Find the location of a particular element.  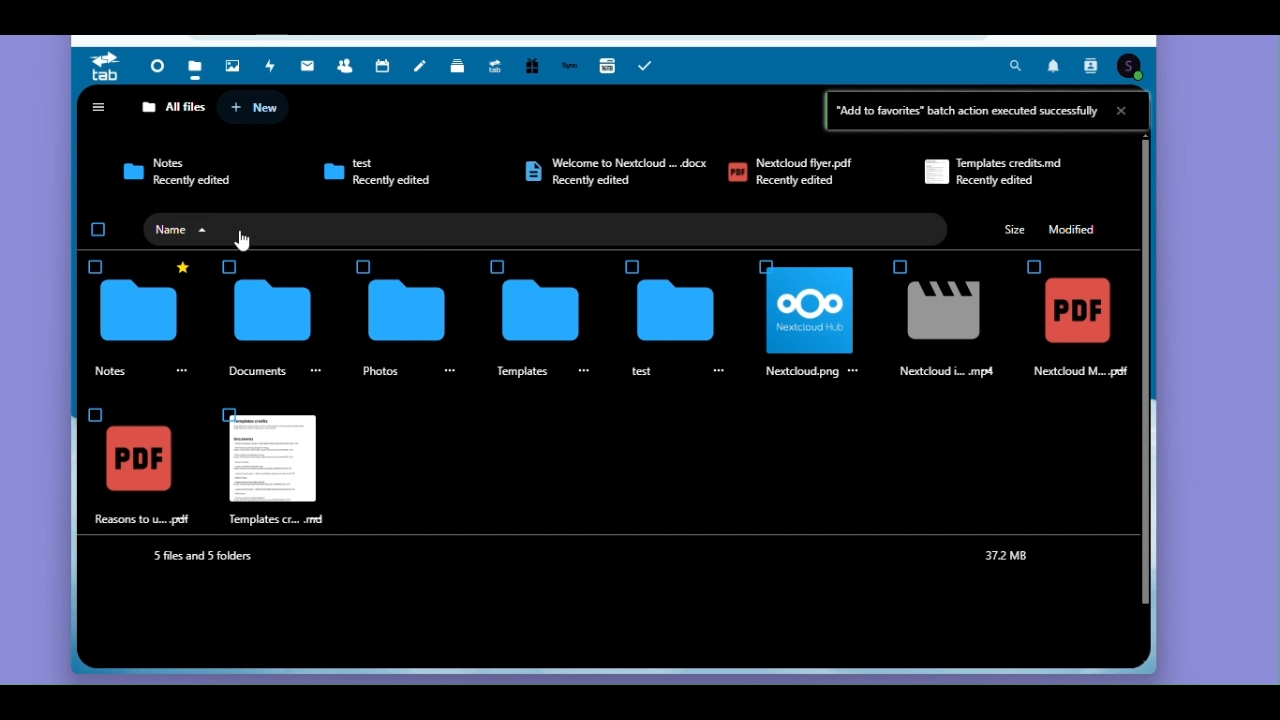

Contact Search is located at coordinates (1092, 67).